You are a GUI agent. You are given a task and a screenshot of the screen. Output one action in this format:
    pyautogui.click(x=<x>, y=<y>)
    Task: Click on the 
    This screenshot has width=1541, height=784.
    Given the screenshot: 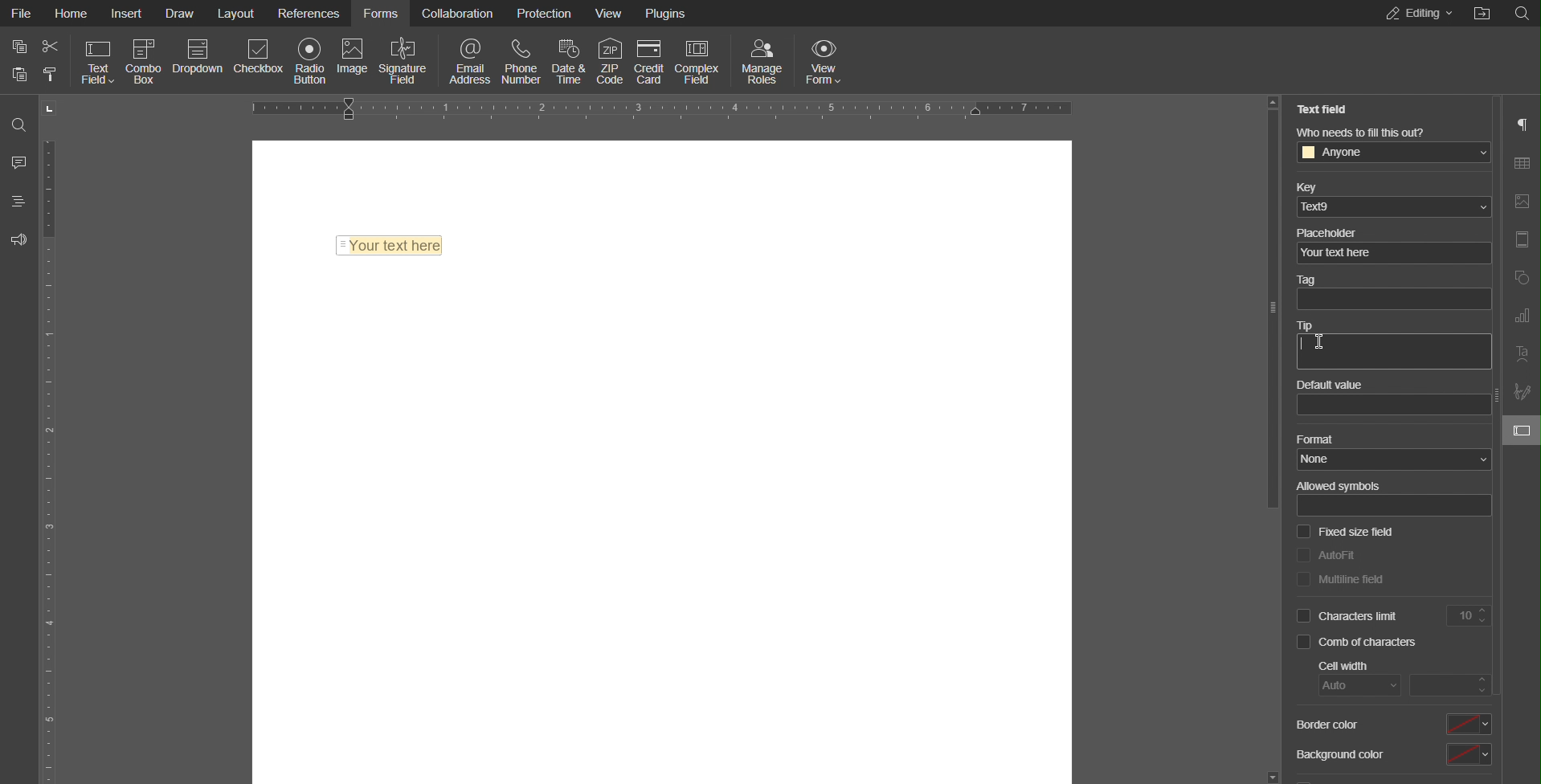 What is the action you would take?
    pyautogui.click(x=1520, y=16)
    